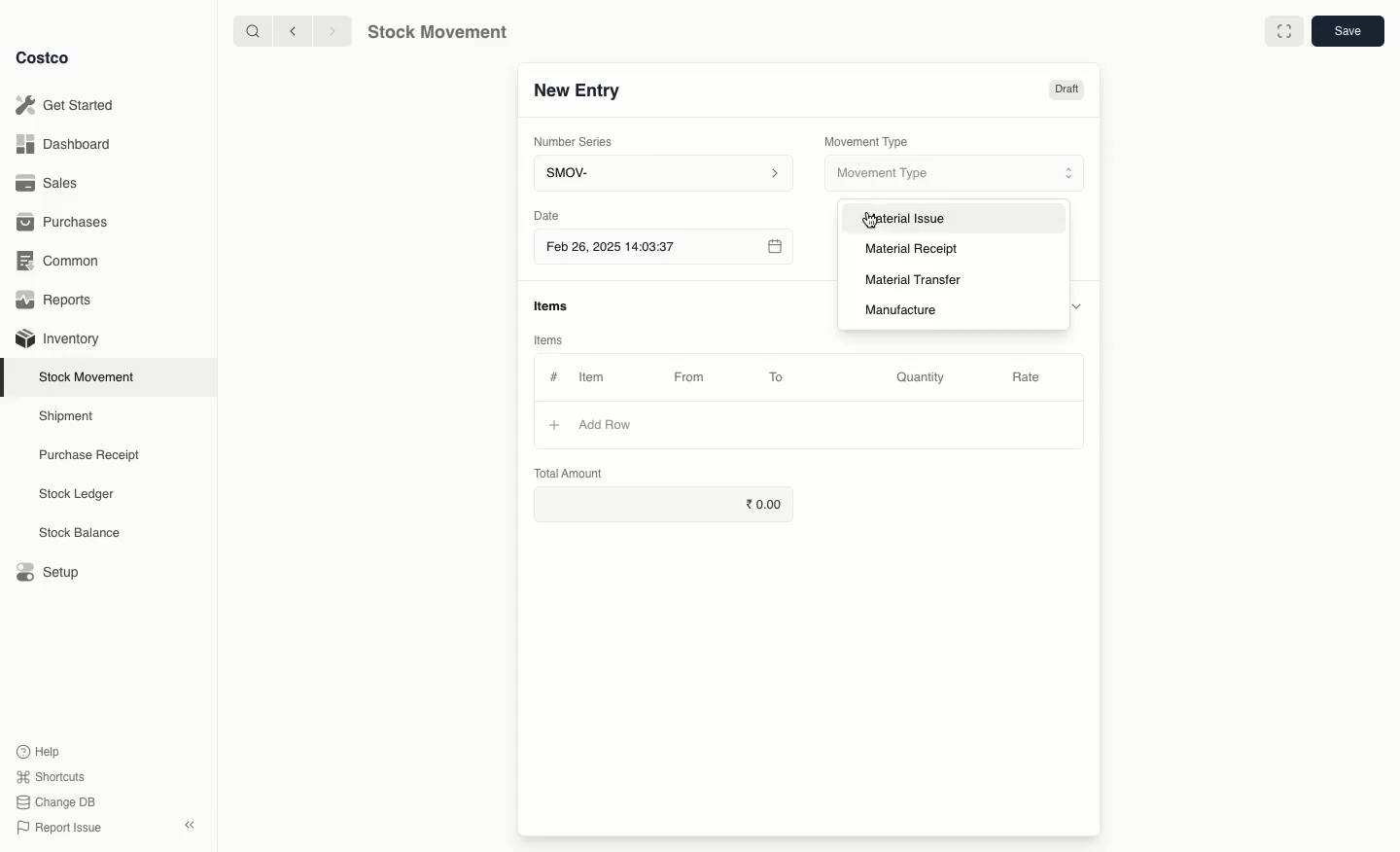 This screenshot has width=1400, height=852. Describe the element at coordinates (56, 802) in the screenshot. I see `Change DB` at that location.